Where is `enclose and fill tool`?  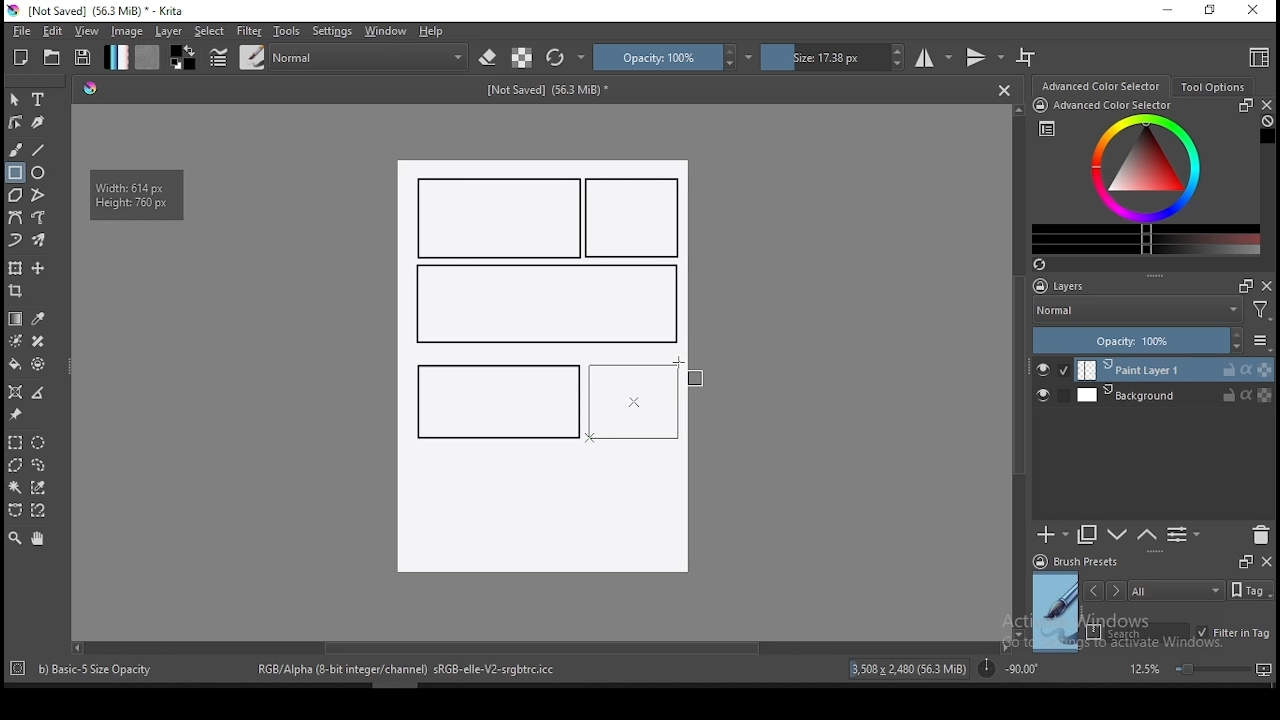 enclose and fill tool is located at coordinates (38, 364).